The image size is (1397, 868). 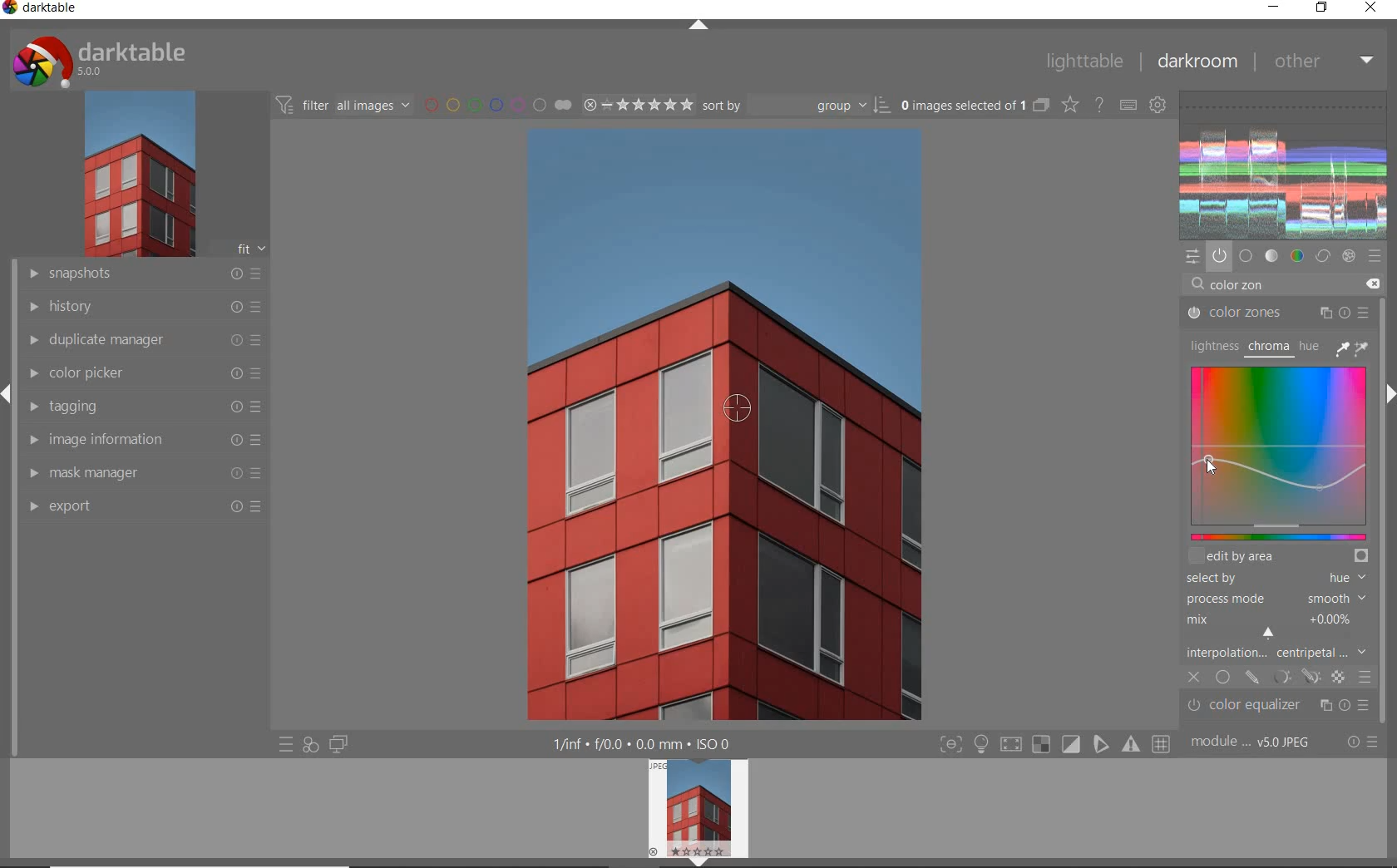 I want to click on COLOR PICKER TOOL POSITION, so click(x=736, y=408).